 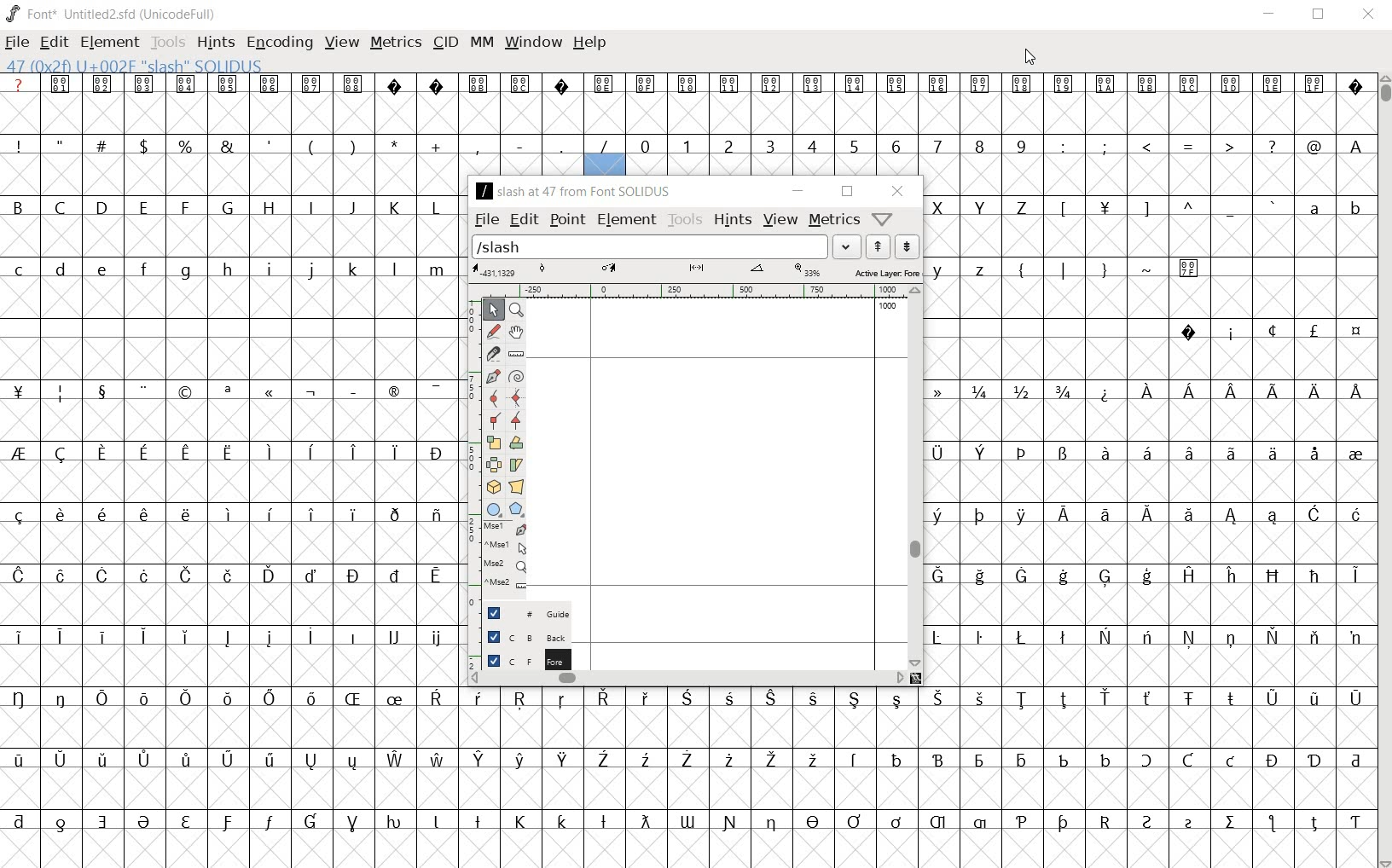 I want to click on Magnify, so click(x=515, y=310).